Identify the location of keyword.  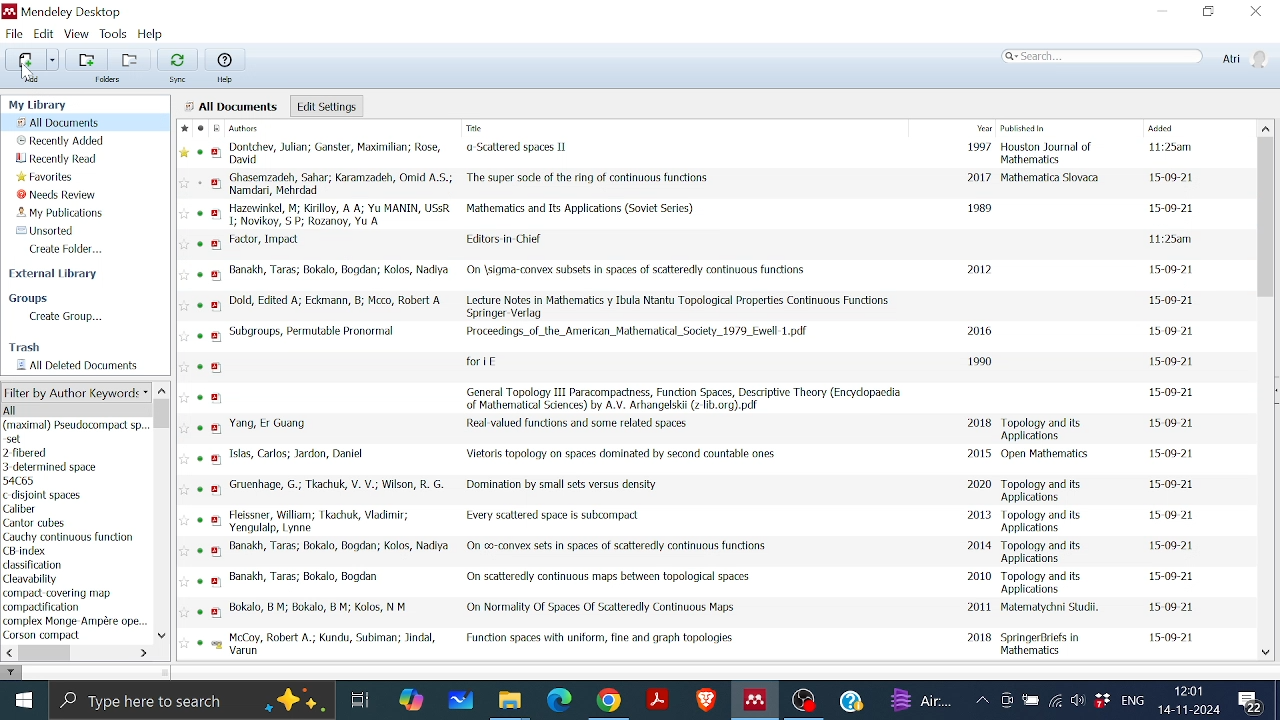
(31, 552).